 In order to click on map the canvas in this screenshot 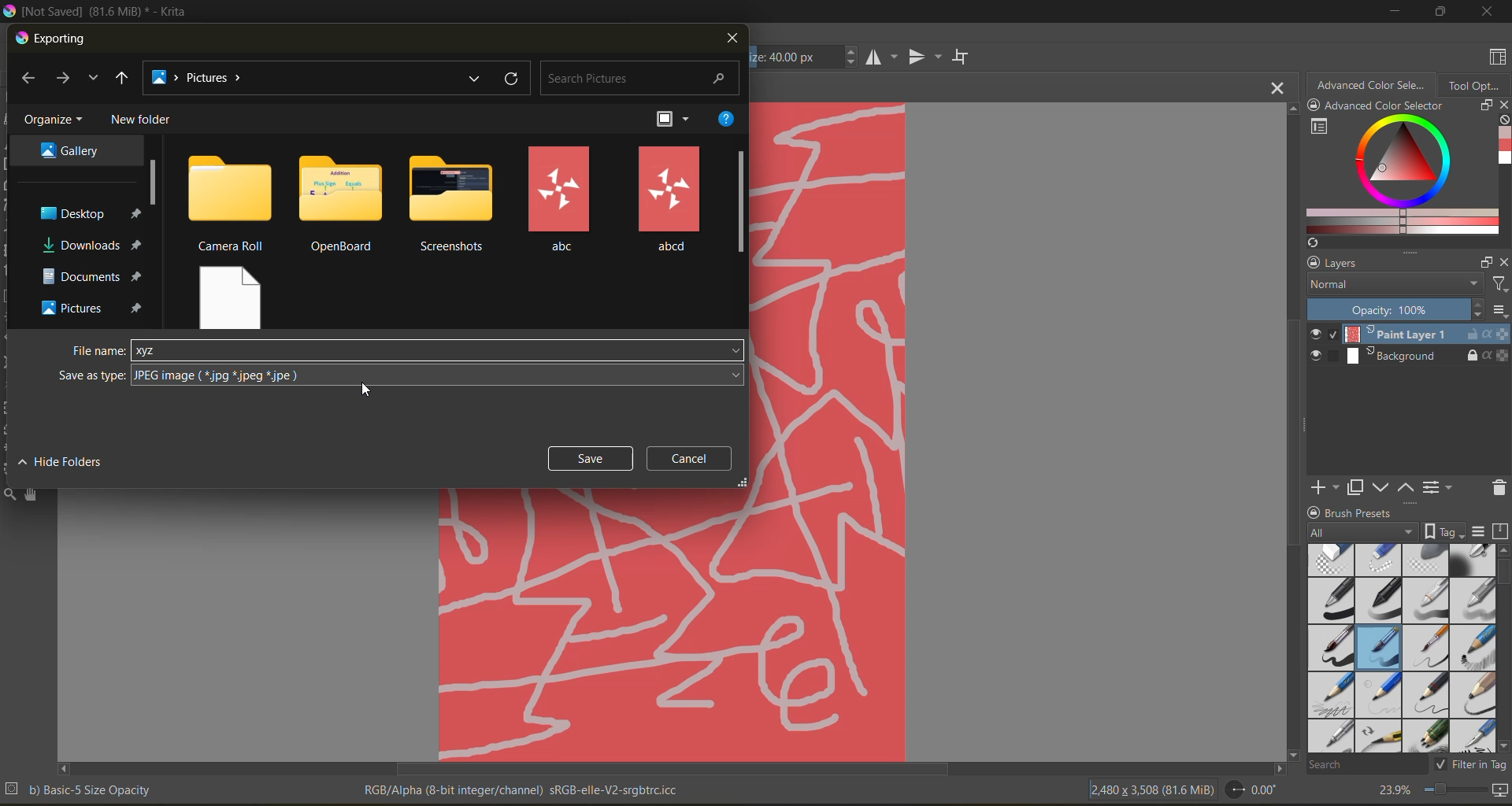, I will do `click(1502, 793)`.